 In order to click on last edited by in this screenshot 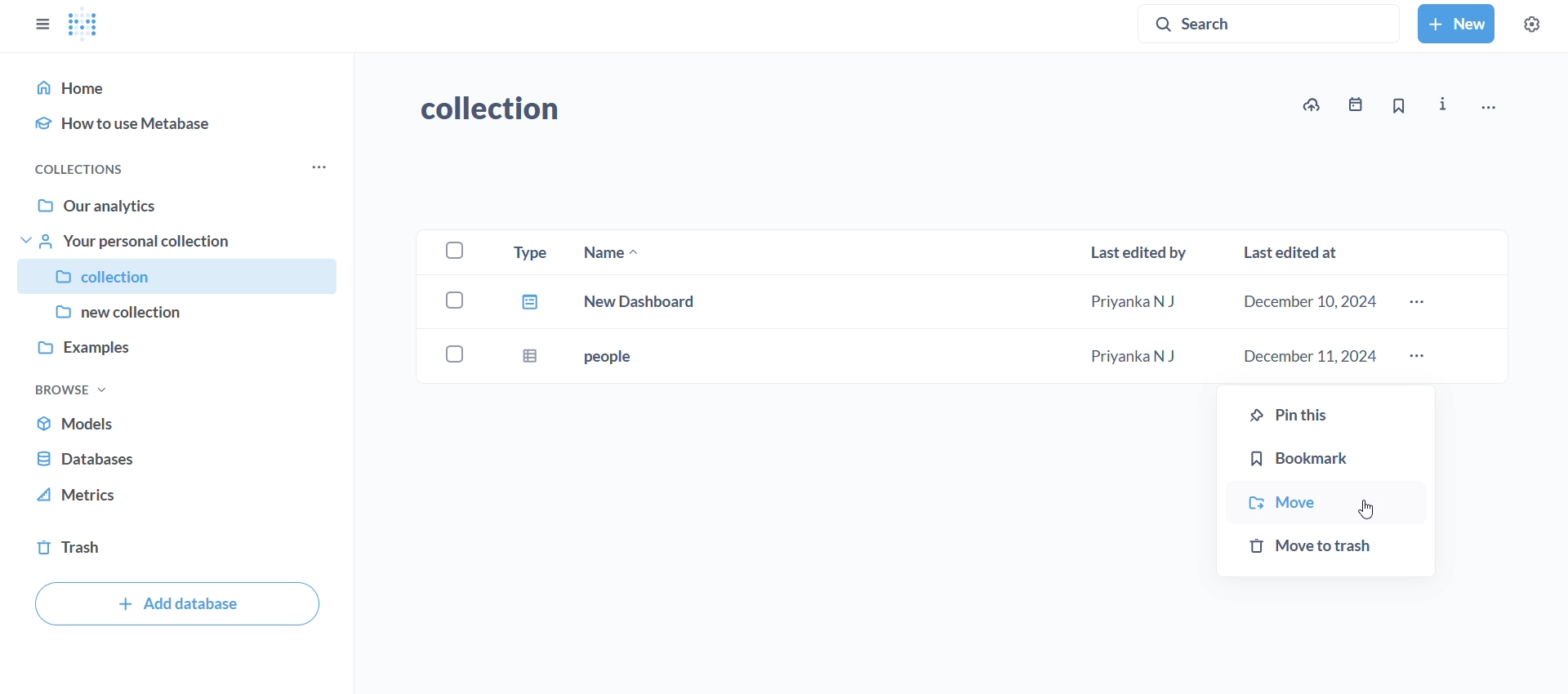, I will do `click(1142, 255)`.